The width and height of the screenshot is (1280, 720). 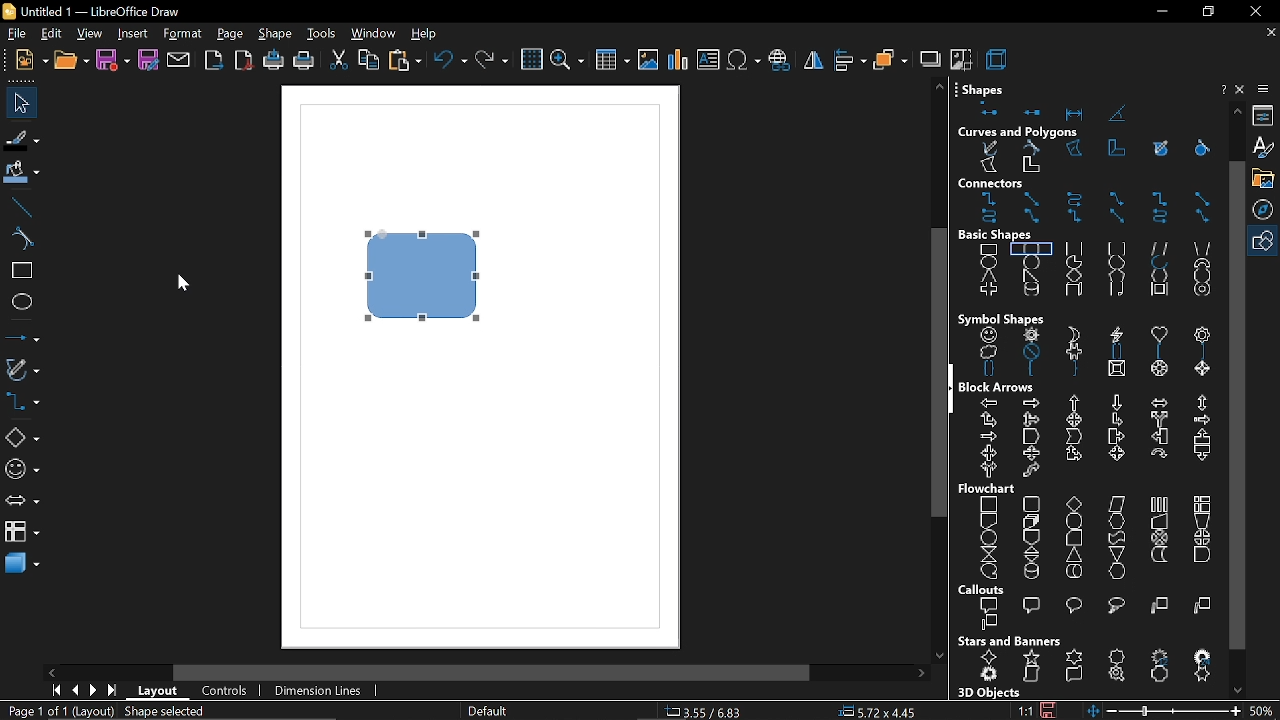 I want to click on scroll bar, so click(x=494, y=672).